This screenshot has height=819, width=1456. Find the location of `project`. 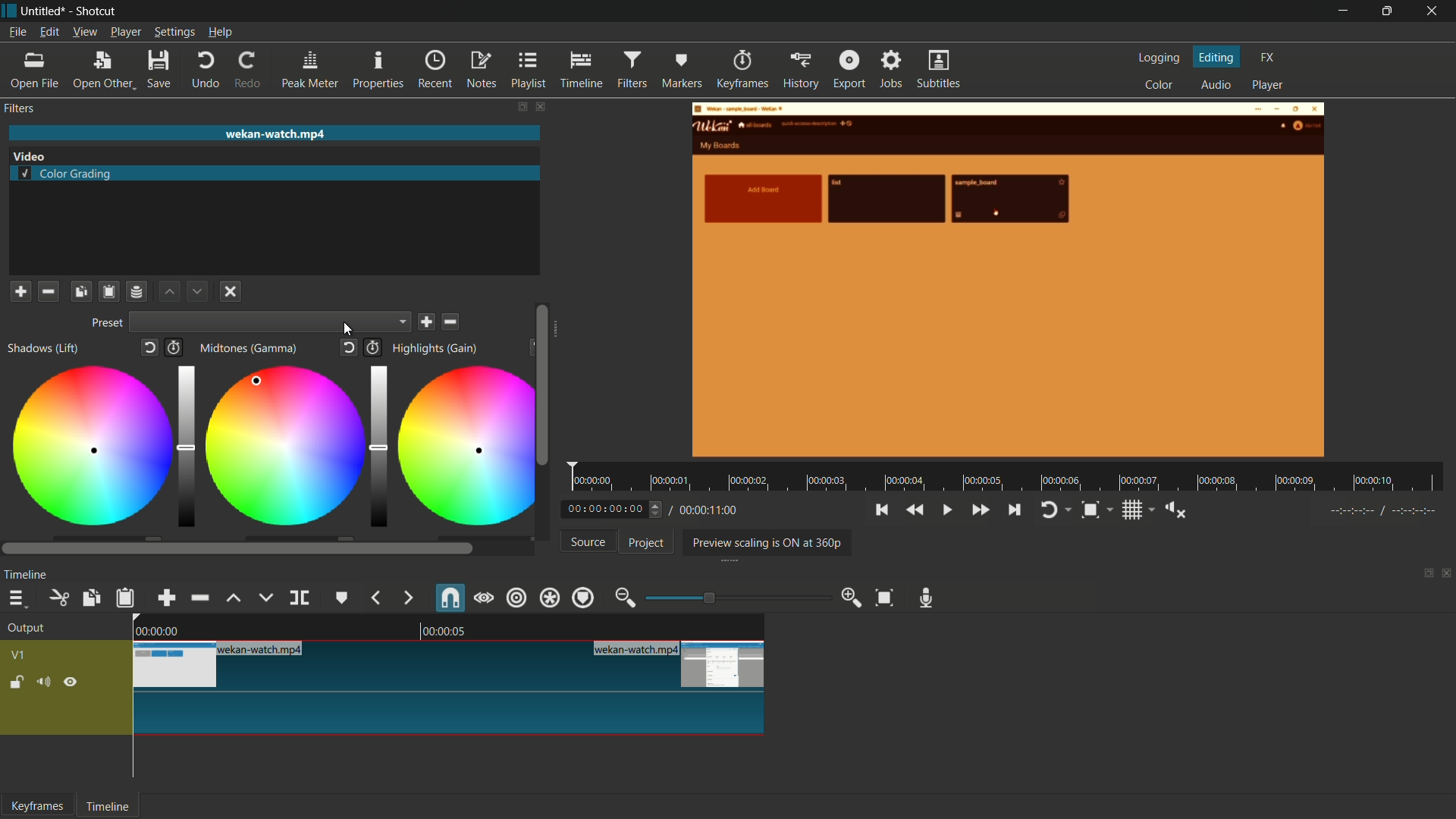

project is located at coordinates (644, 543).